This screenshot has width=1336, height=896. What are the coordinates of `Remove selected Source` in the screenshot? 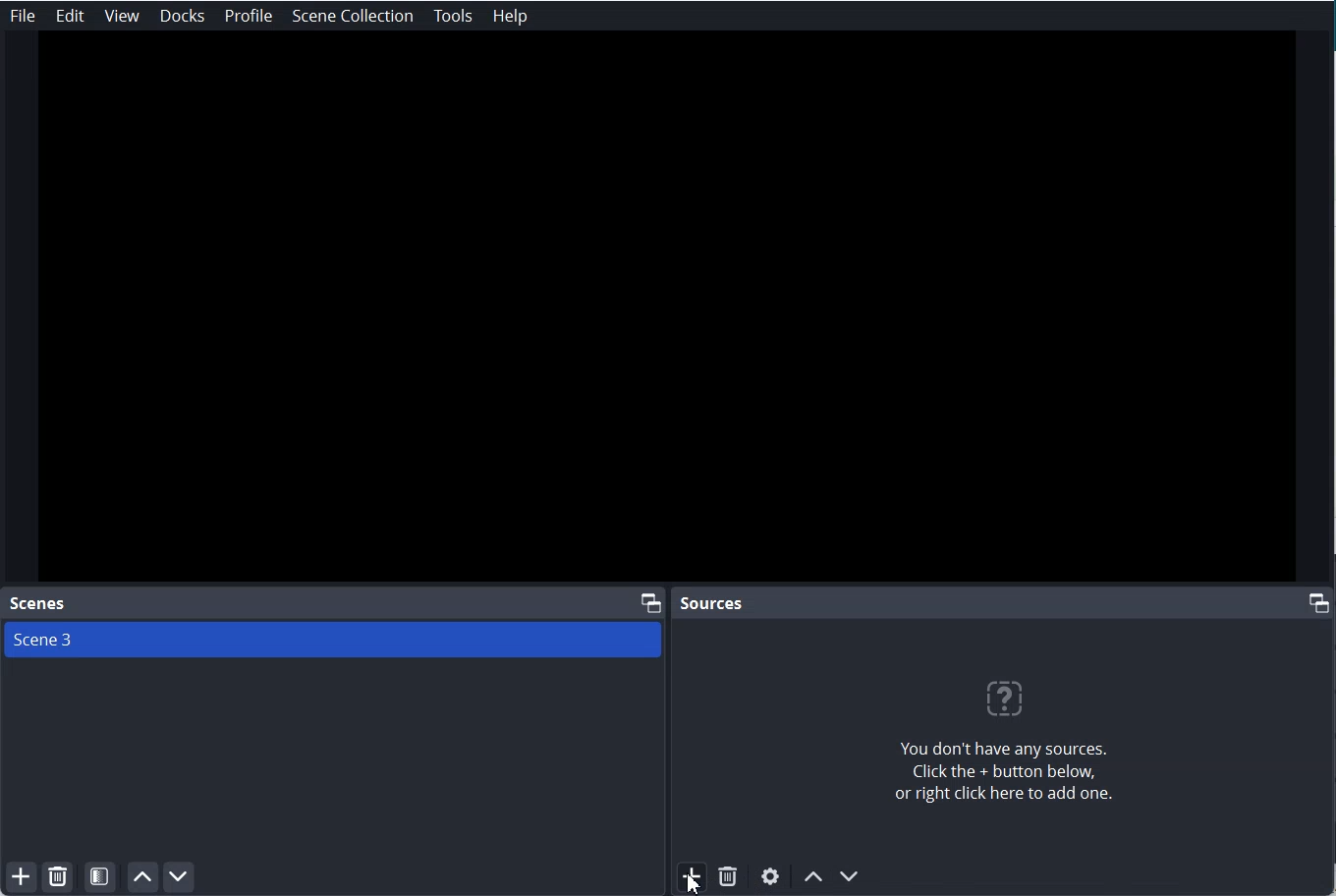 It's located at (728, 877).